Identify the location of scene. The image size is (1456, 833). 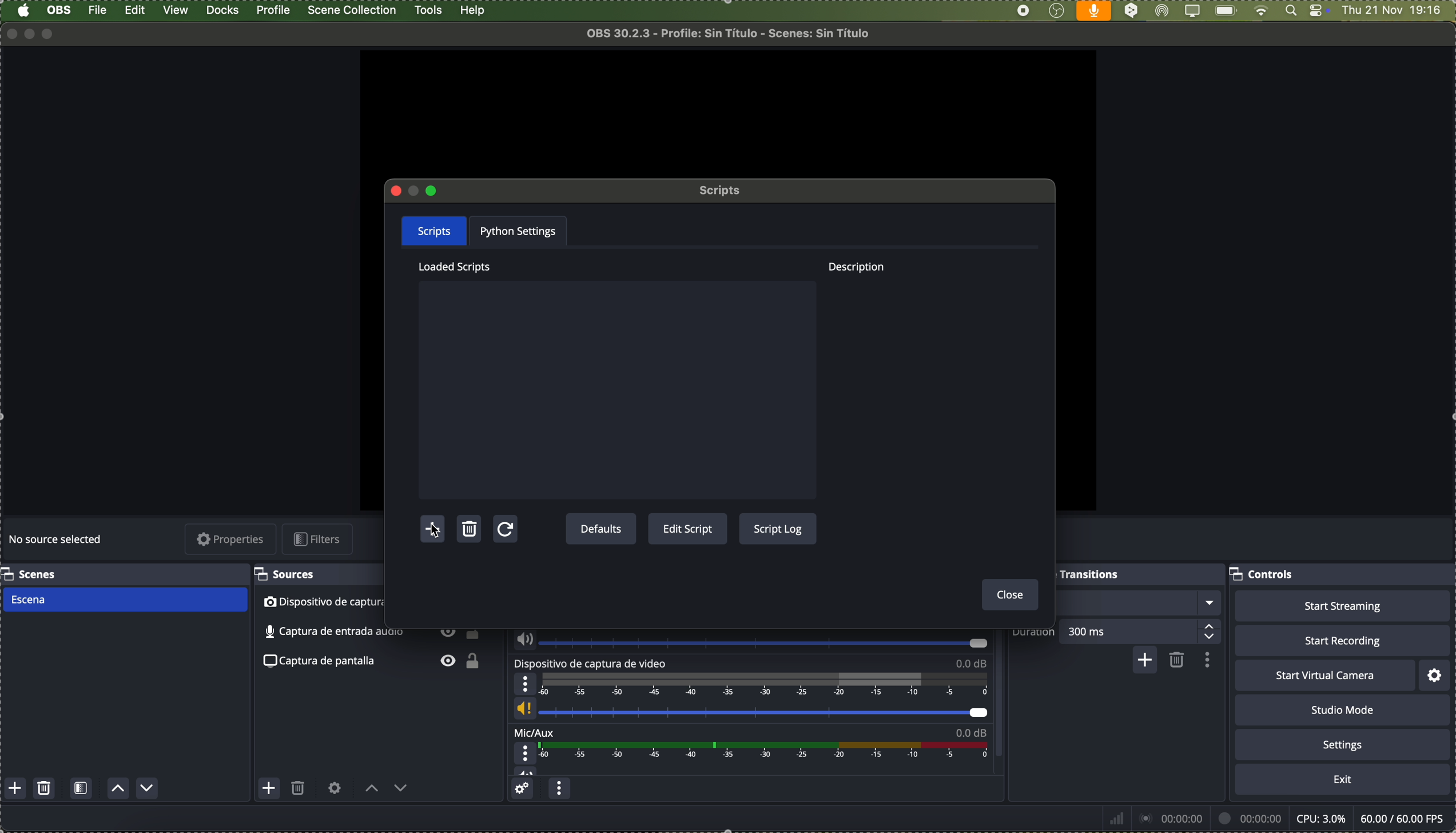
(124, 600).